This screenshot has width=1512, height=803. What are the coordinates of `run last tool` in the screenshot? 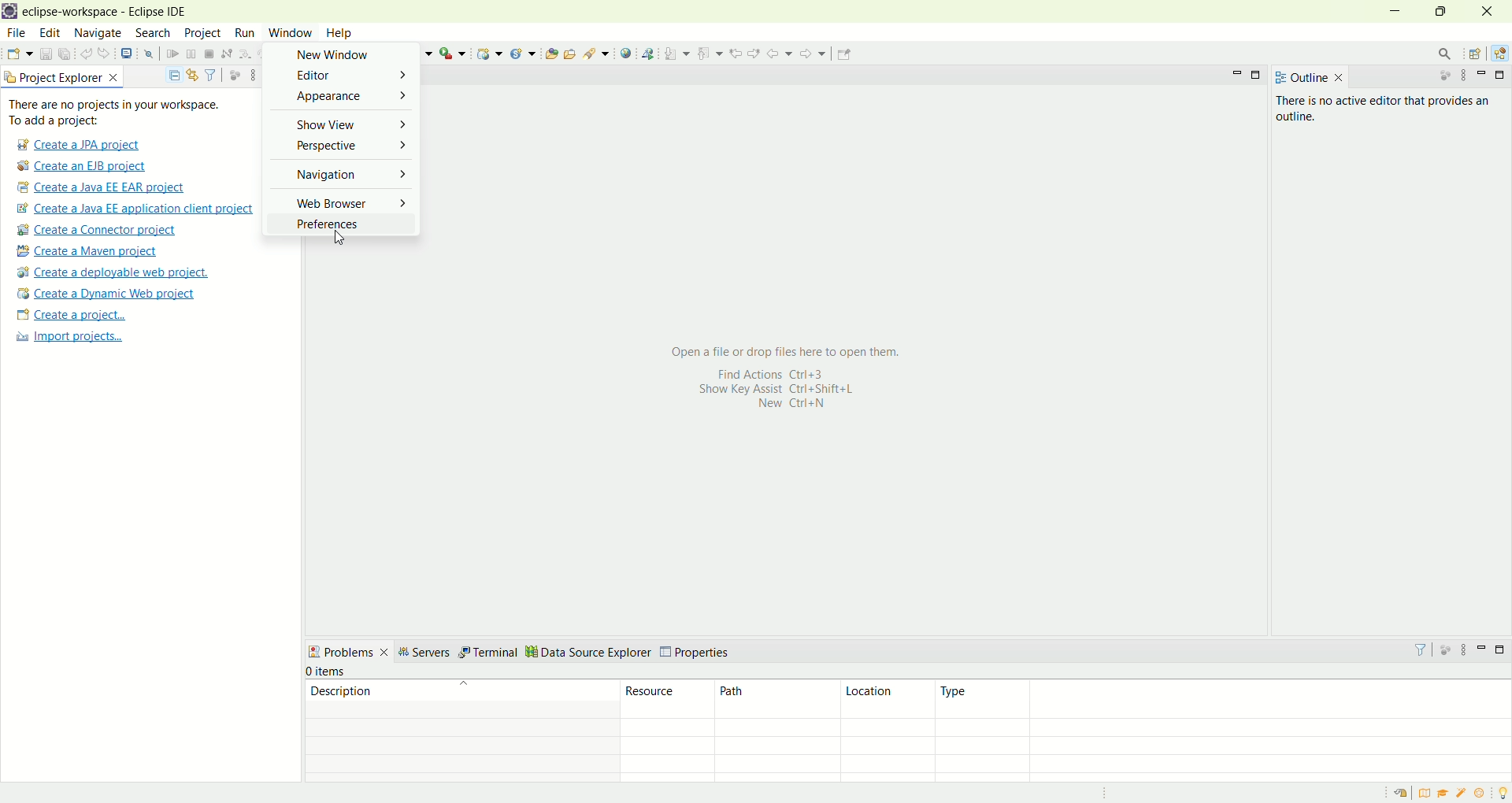 It's located at (454, 53).